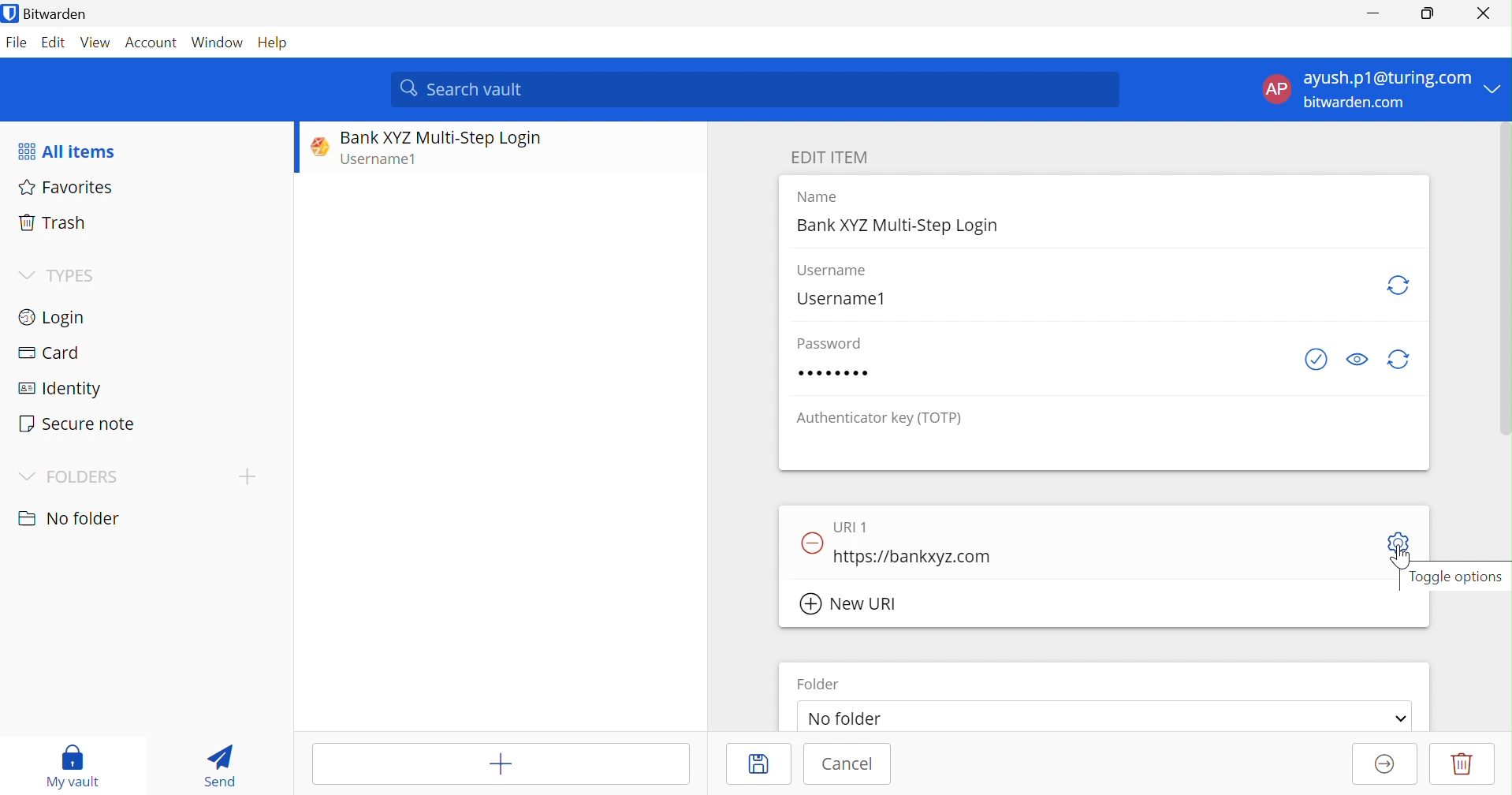 The width and height of the screenshot is (1512, 795). What do you see at coordinates (1356, 103) in the screenshot?
I see `bitwarden.com` at bounding box center [1356, 103].